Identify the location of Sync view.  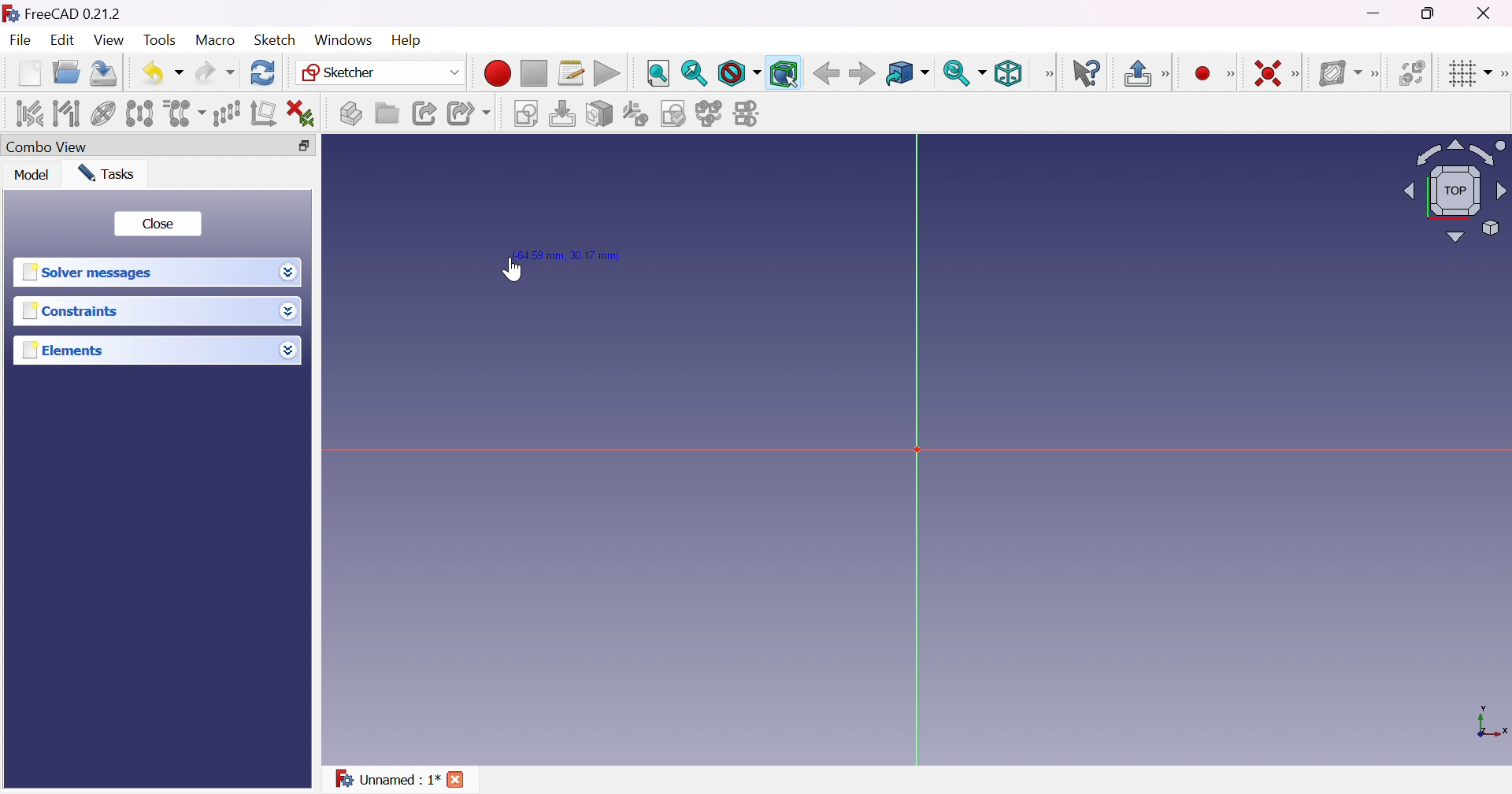
(964, 75).